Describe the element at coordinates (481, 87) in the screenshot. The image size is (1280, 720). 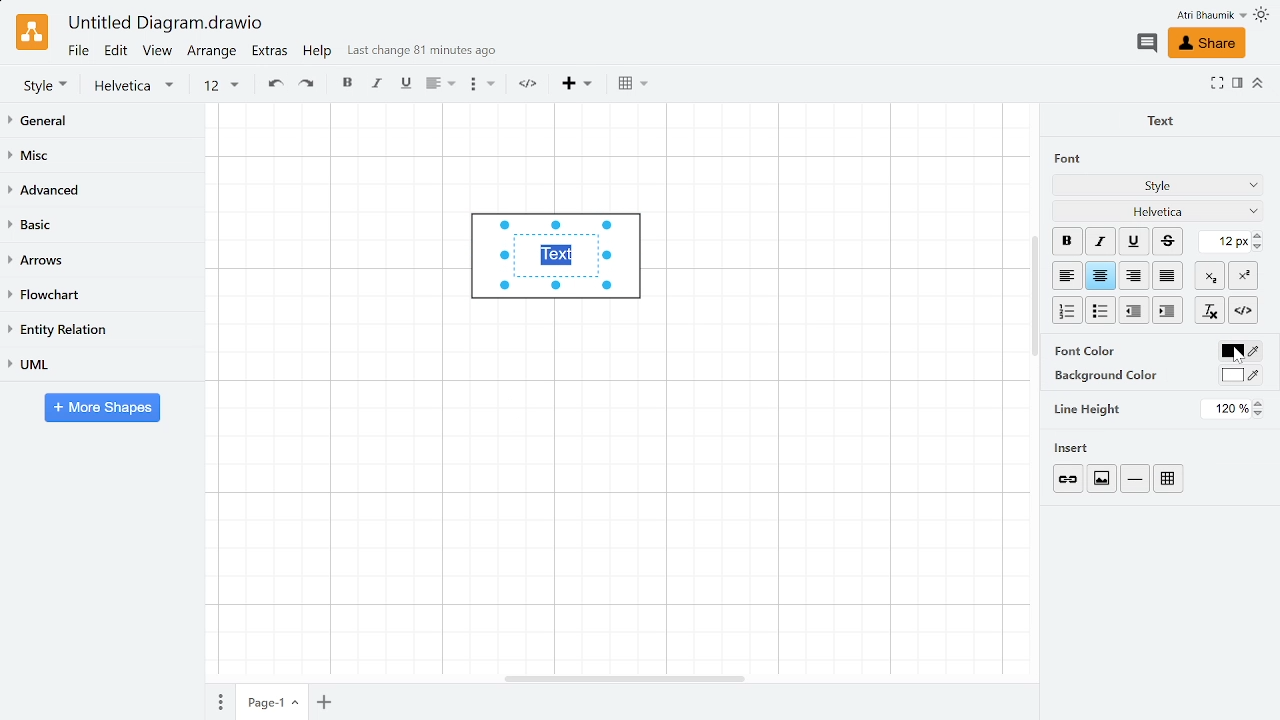
I see `bullets` at that location.